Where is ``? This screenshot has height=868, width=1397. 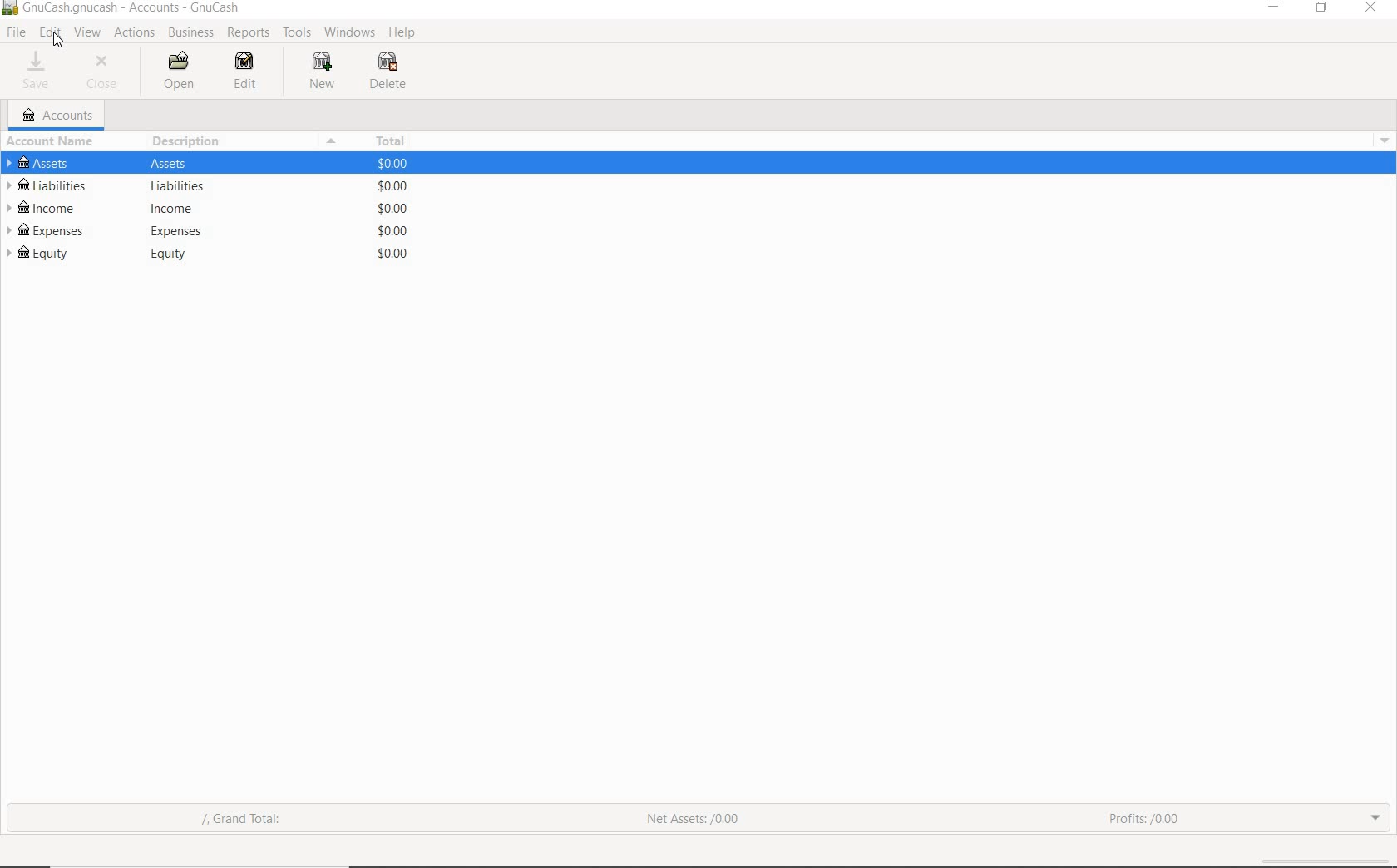  is located at coordinates (181, 234).